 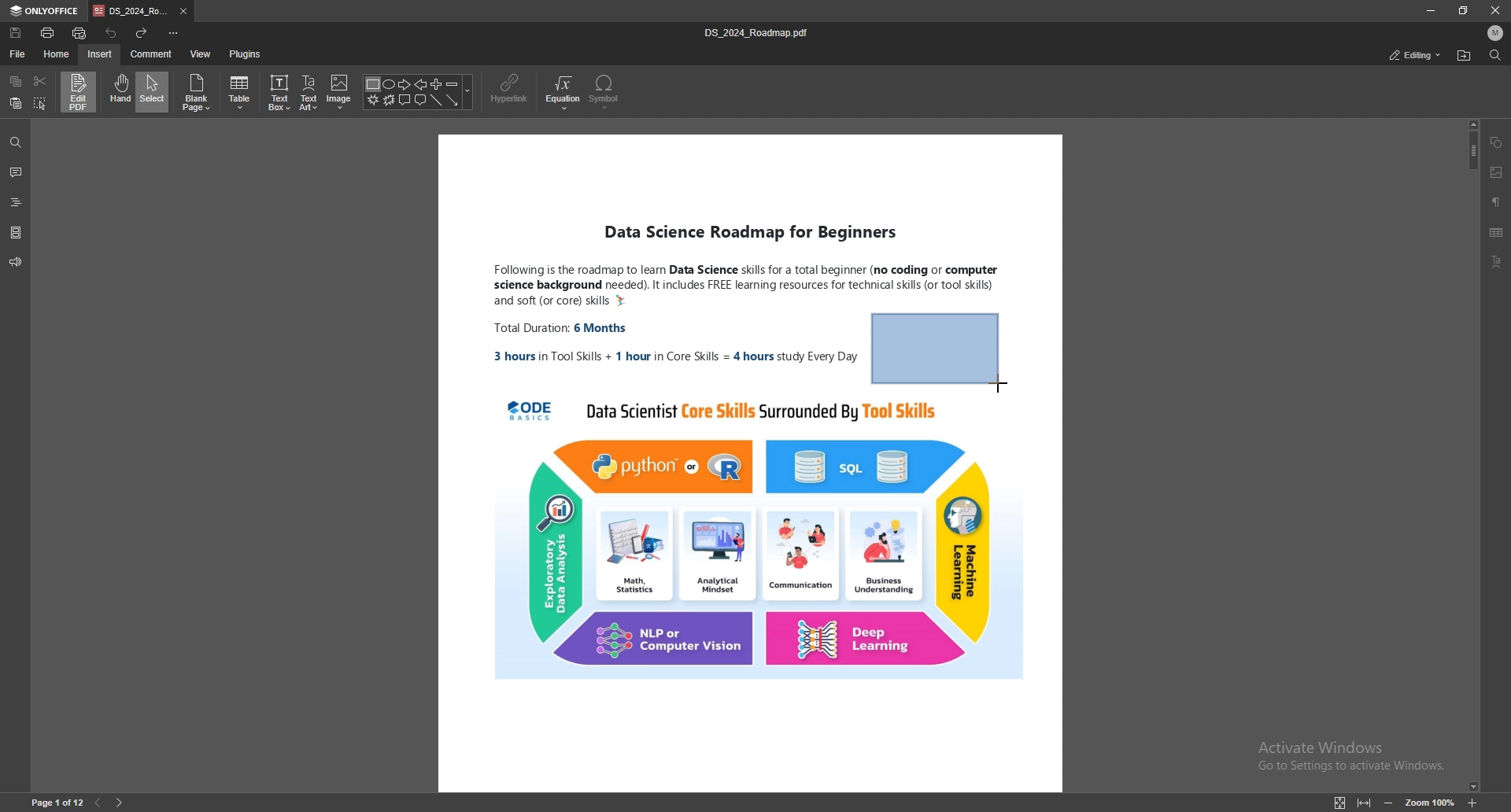 I want to click on home, so click(x=57, y=54).